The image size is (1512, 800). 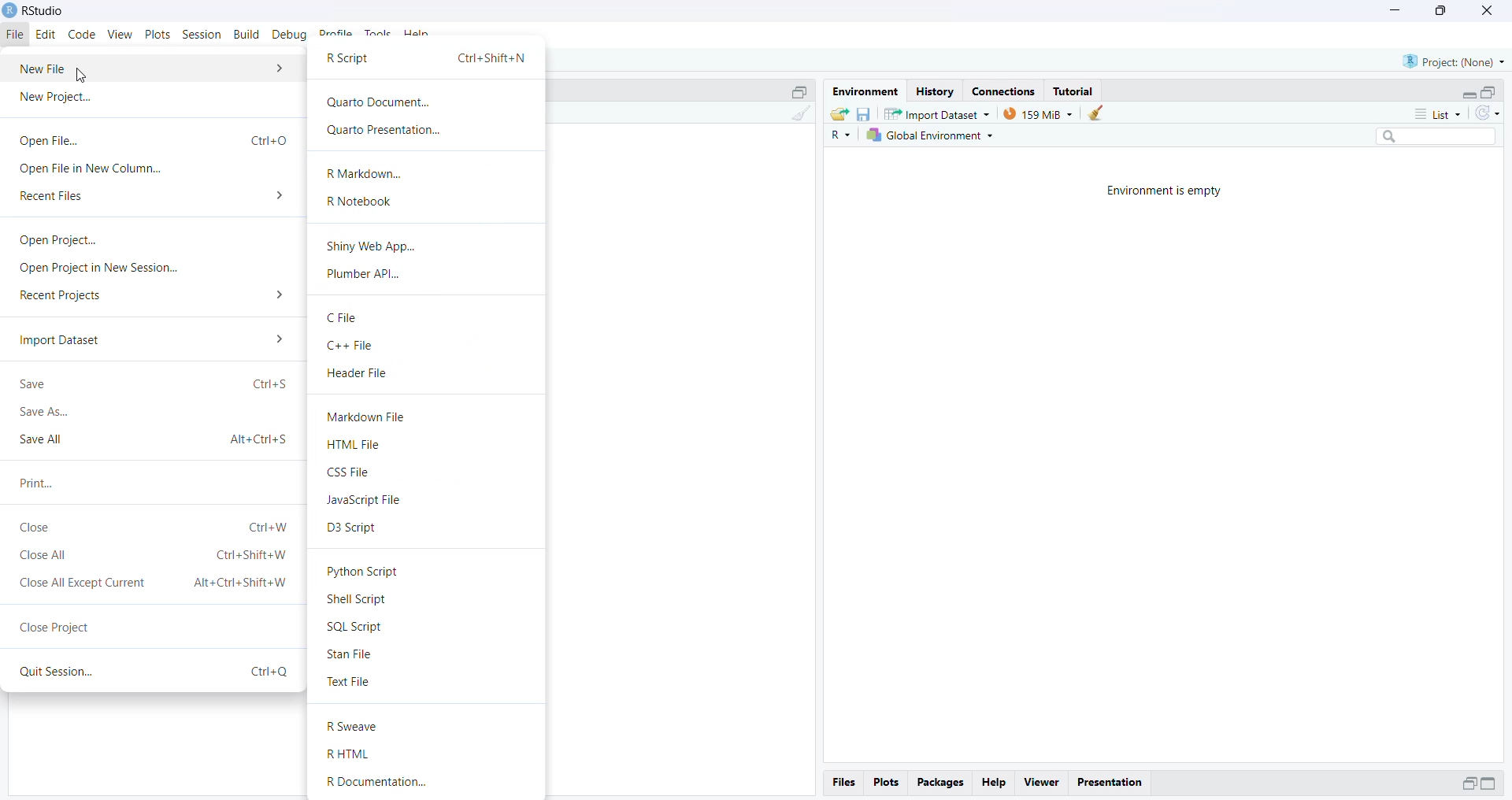 I want to click on minimize, so click(x=1395, y=12).